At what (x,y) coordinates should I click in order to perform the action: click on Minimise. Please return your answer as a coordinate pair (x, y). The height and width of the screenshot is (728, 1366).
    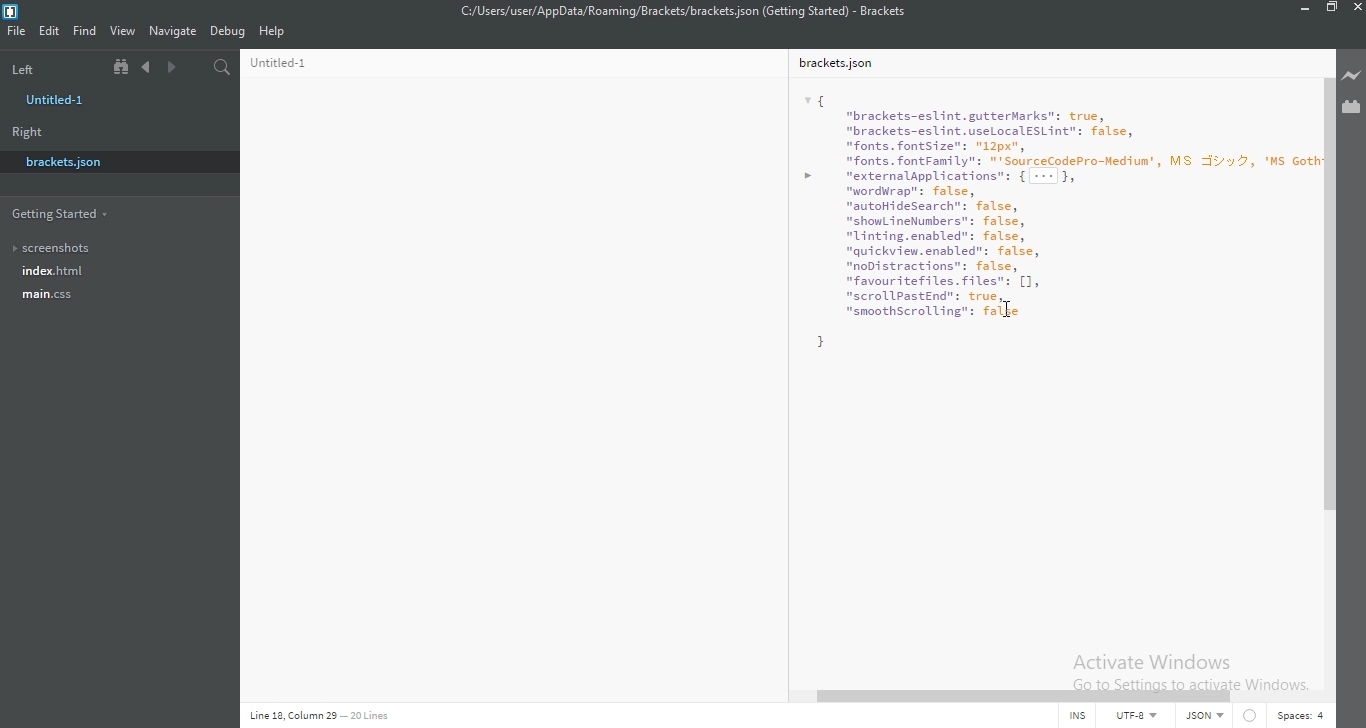
    Looking at the image, I should click on (1303, 10).